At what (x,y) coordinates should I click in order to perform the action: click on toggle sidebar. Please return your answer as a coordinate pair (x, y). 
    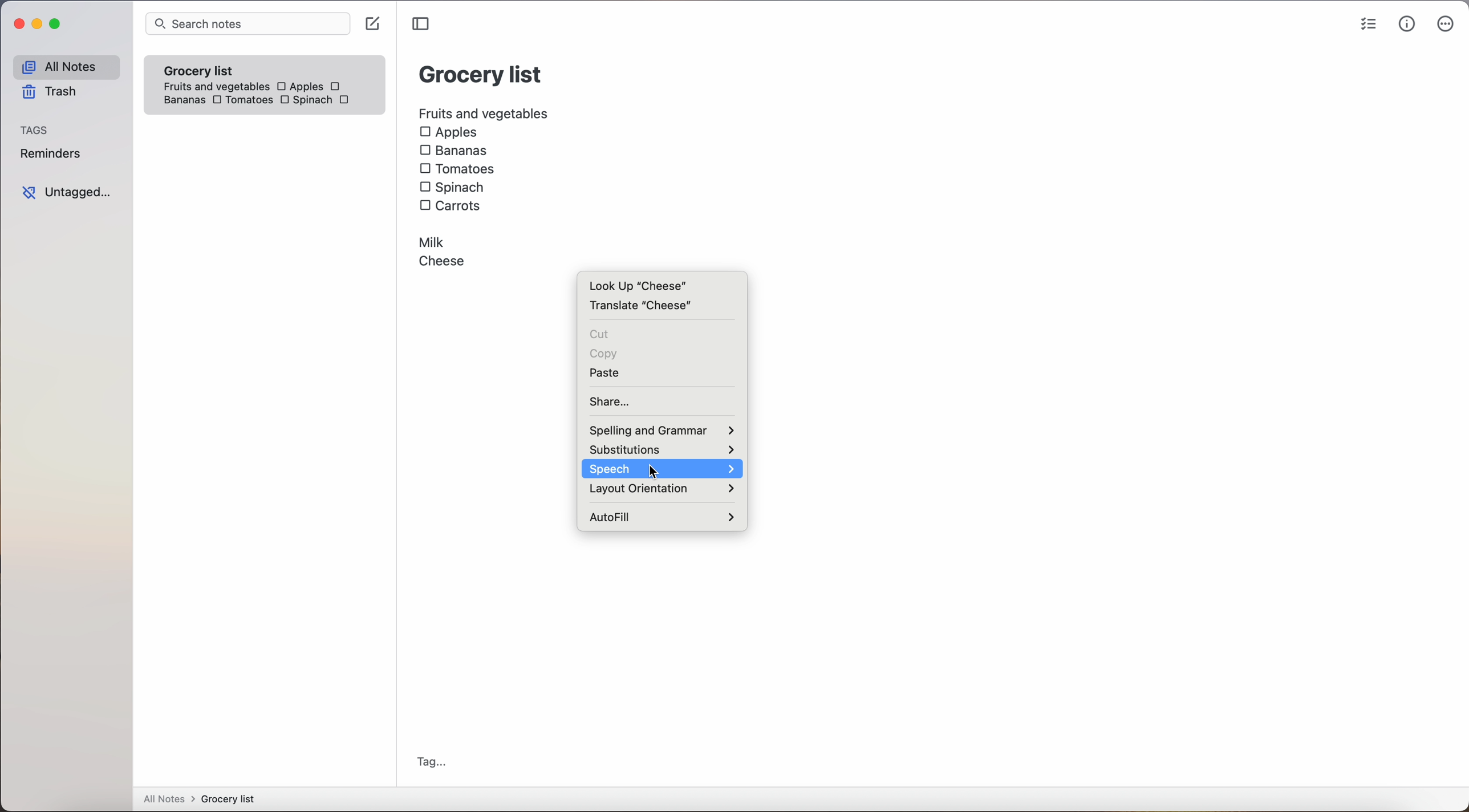
    Looking at the image, I should click on (420, 24).